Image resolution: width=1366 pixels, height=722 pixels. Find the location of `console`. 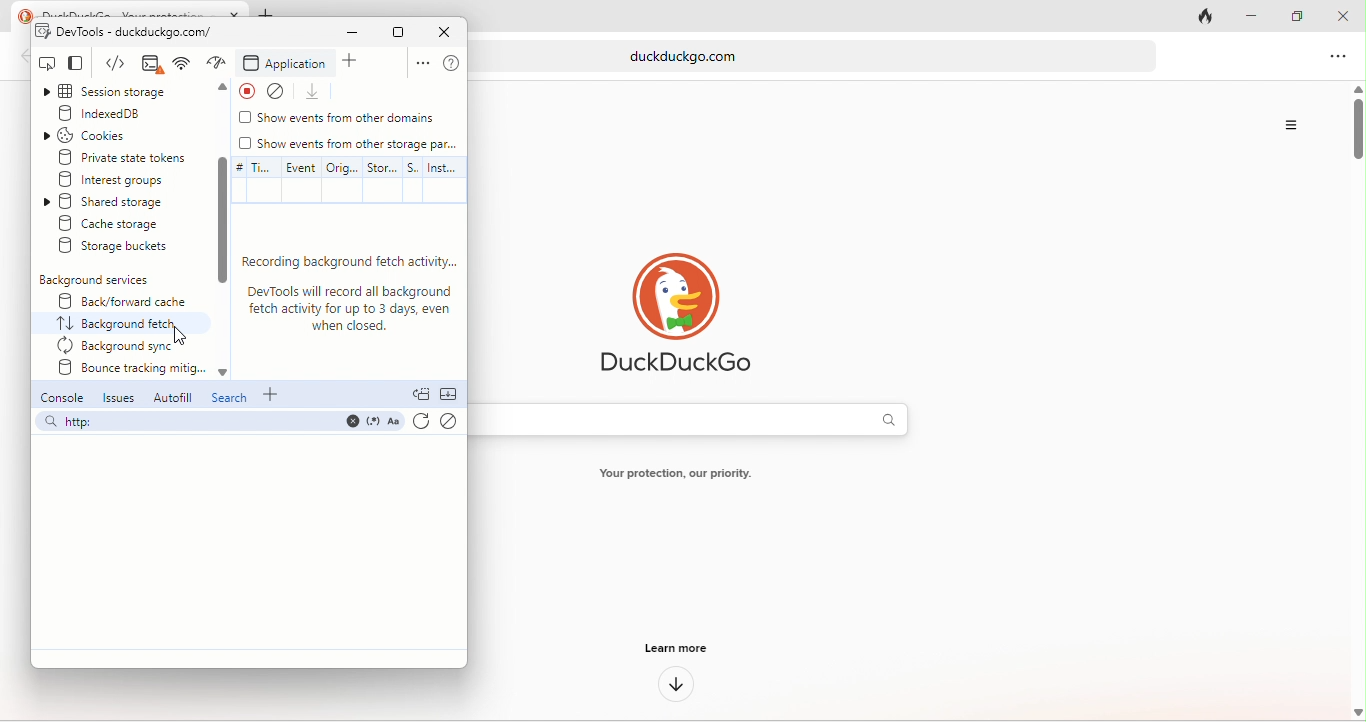

console is located at coordinates (60, 399).